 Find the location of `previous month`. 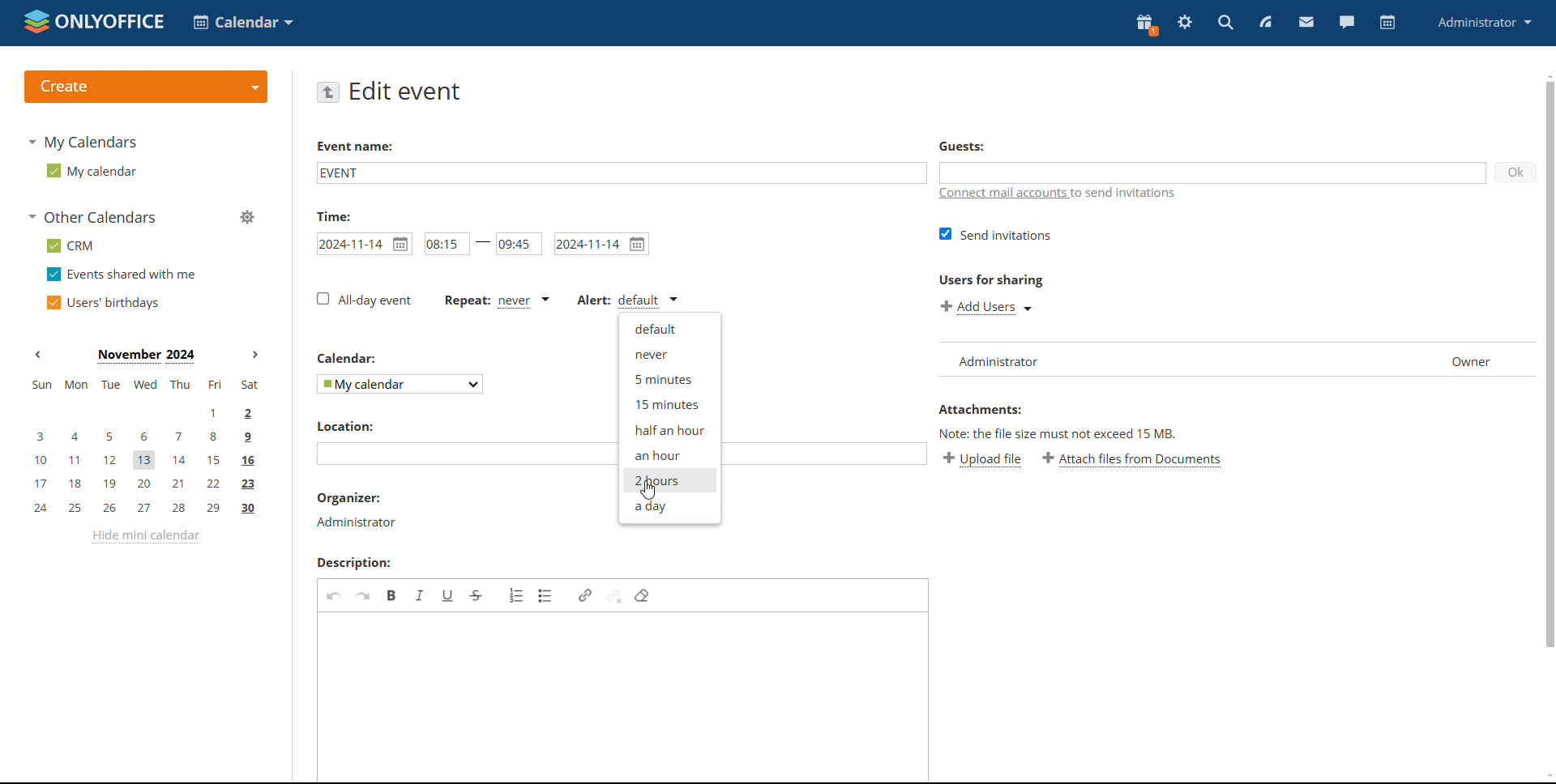

previous month is located at coordinates (38, 354).